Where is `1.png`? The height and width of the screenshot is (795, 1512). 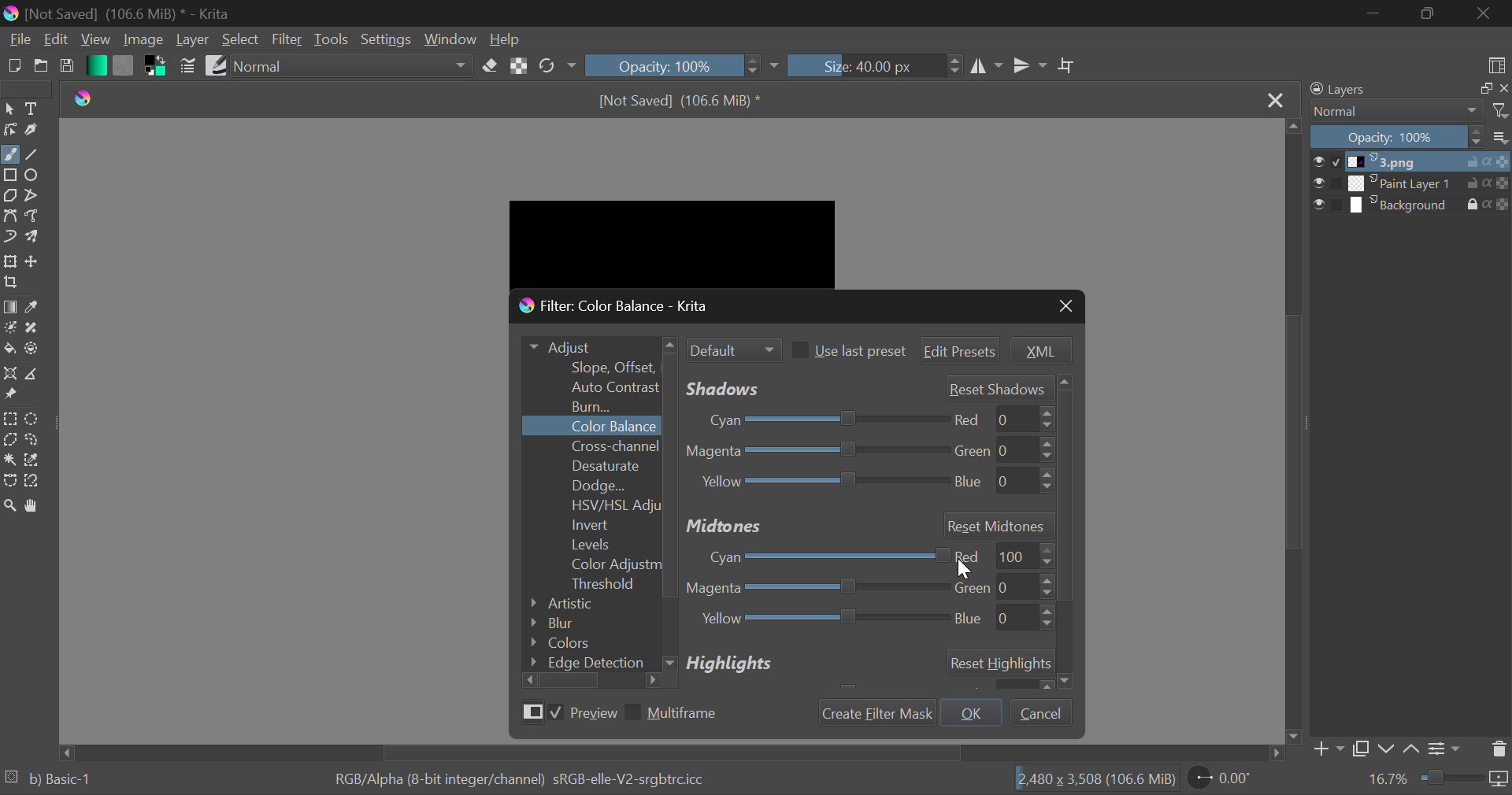
1.png is located at coordinates (1411, 162).